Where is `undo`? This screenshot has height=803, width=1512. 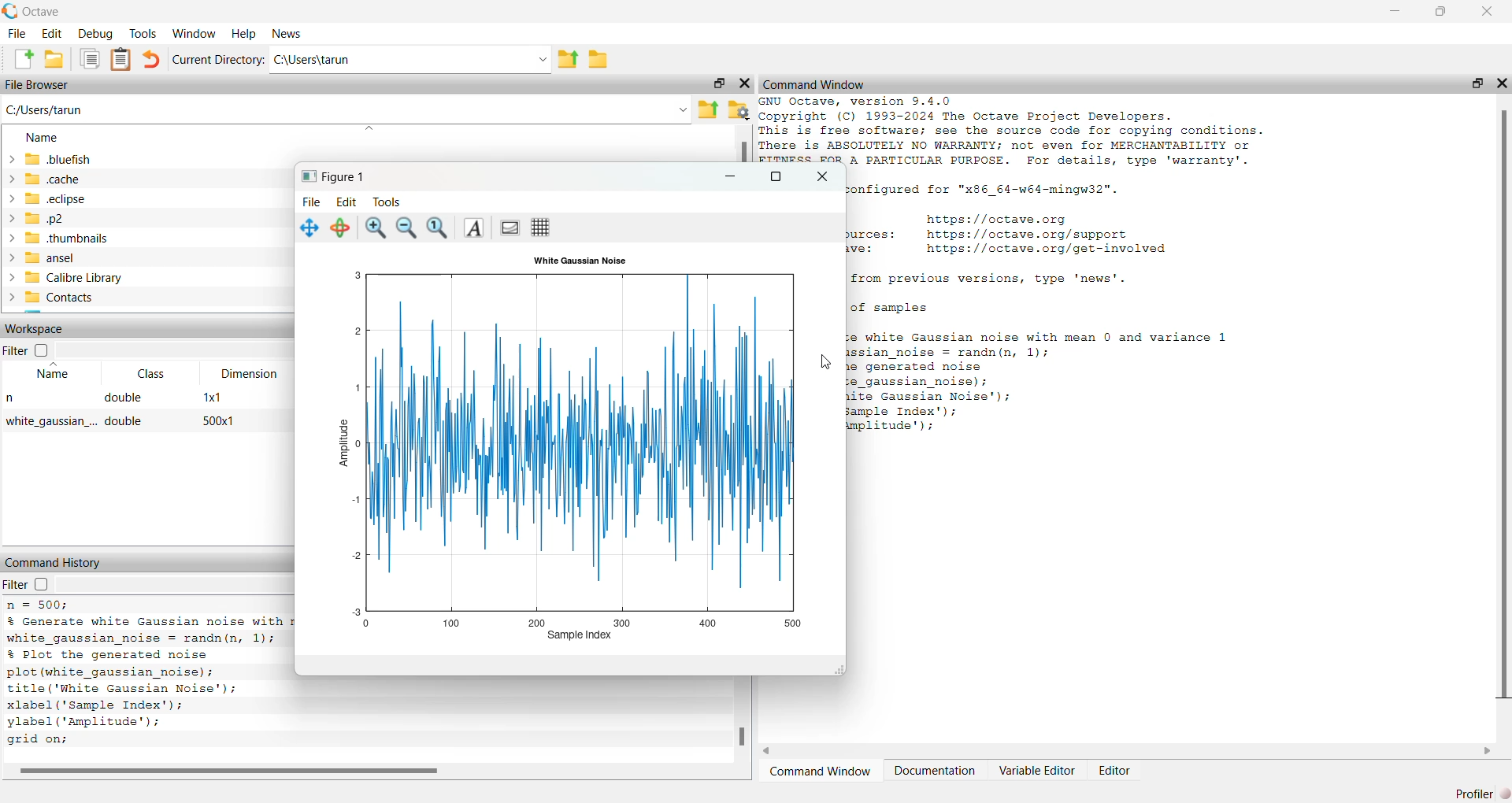
undo is located at coordinates (150, 59).